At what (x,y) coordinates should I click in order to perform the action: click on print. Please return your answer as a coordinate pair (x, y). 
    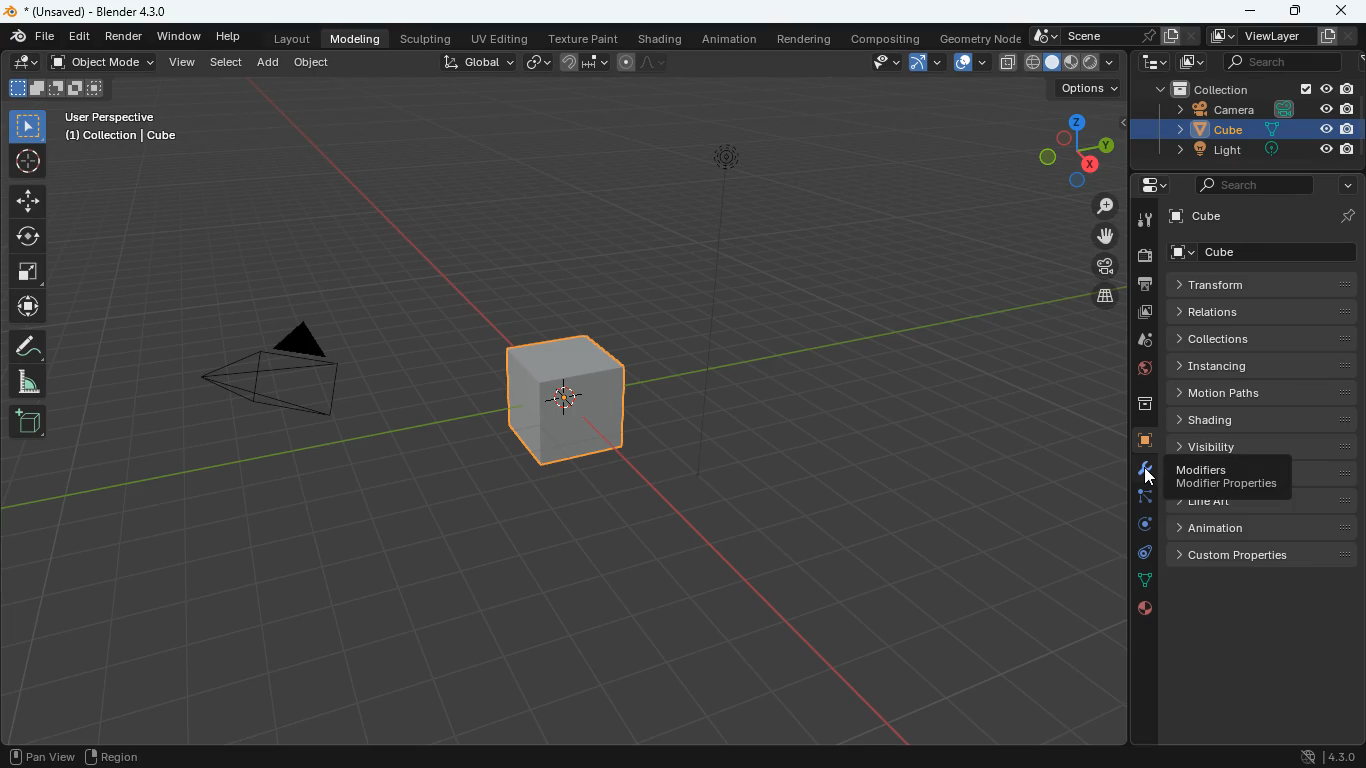
    Looking at the image, I should click on (1143, 285).